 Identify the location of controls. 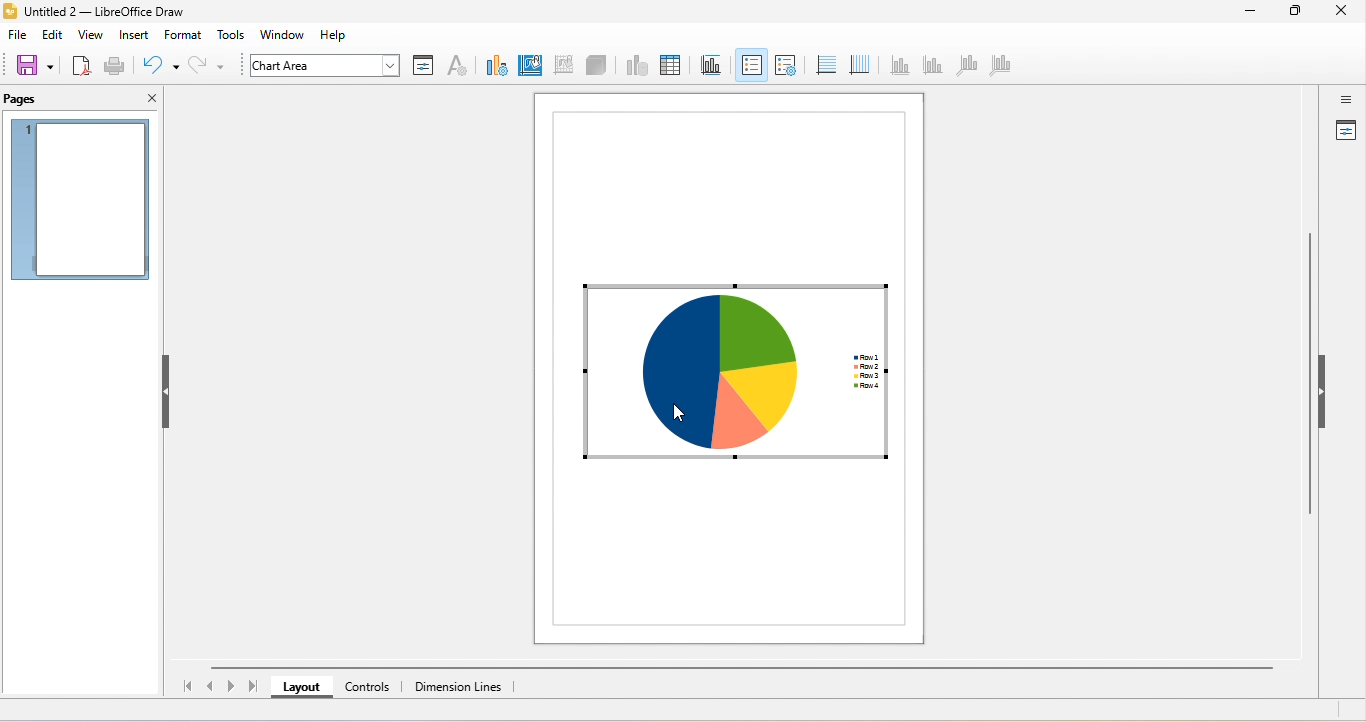
(371, 686).